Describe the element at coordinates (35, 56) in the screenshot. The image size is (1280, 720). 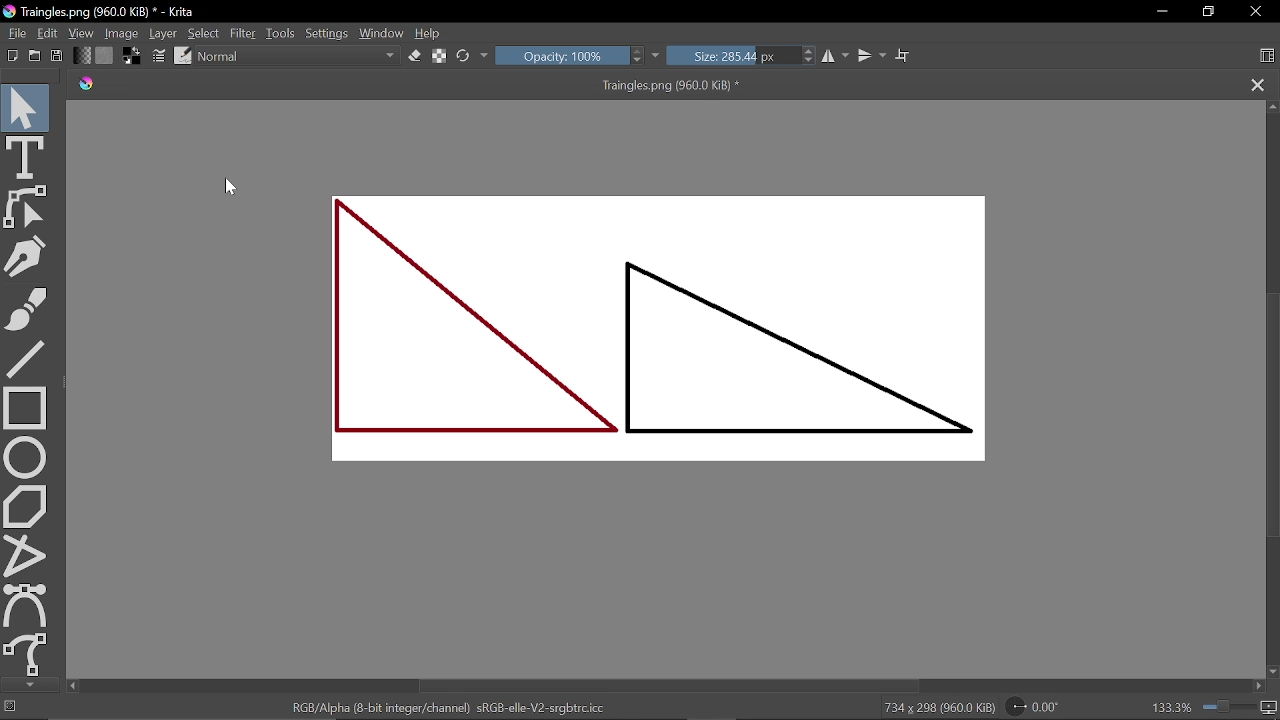
I see `Open as existing document` at that location.